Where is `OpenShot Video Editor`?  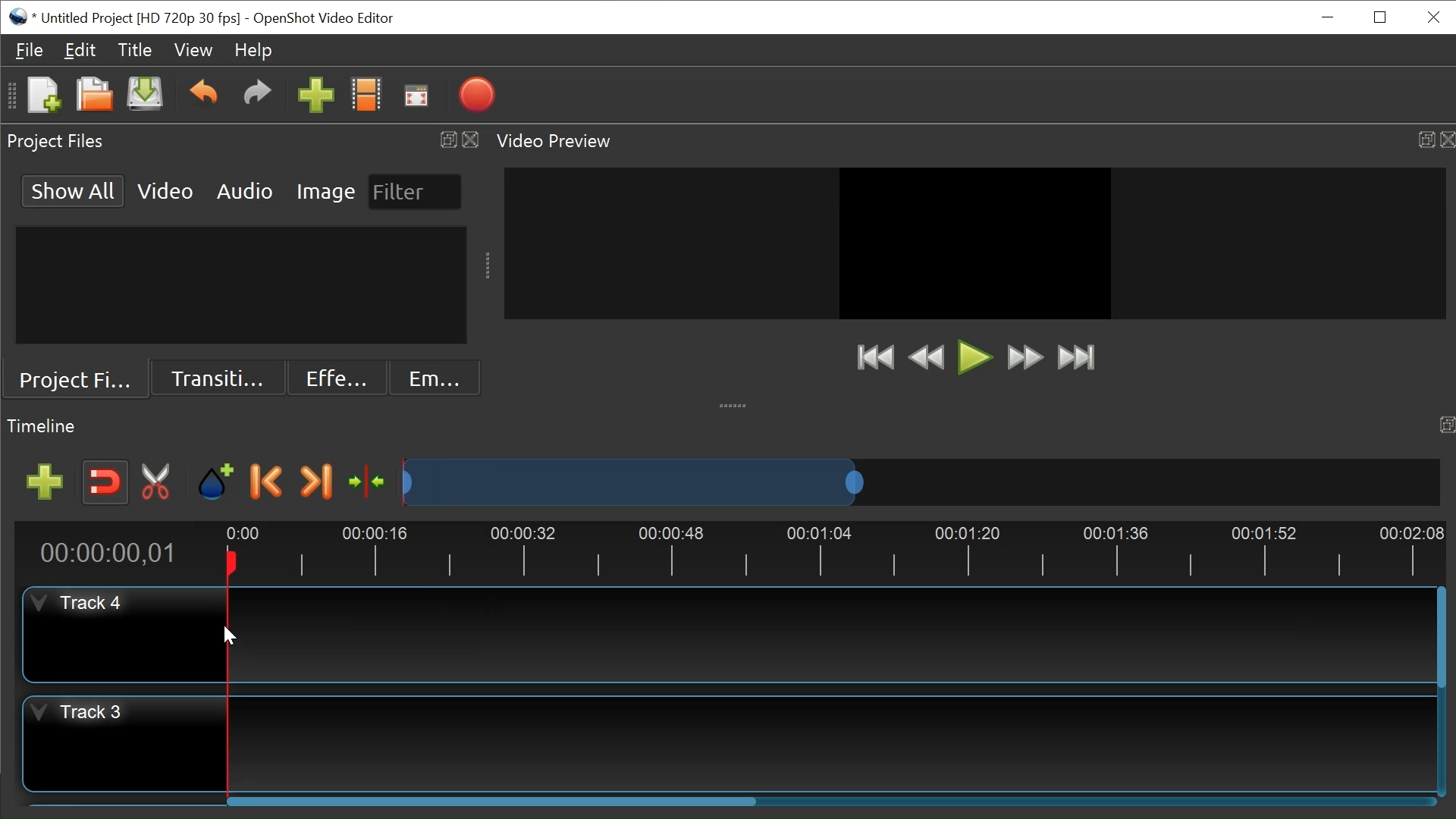
OpenShot Video Editor is located at coordinates (327, 20).